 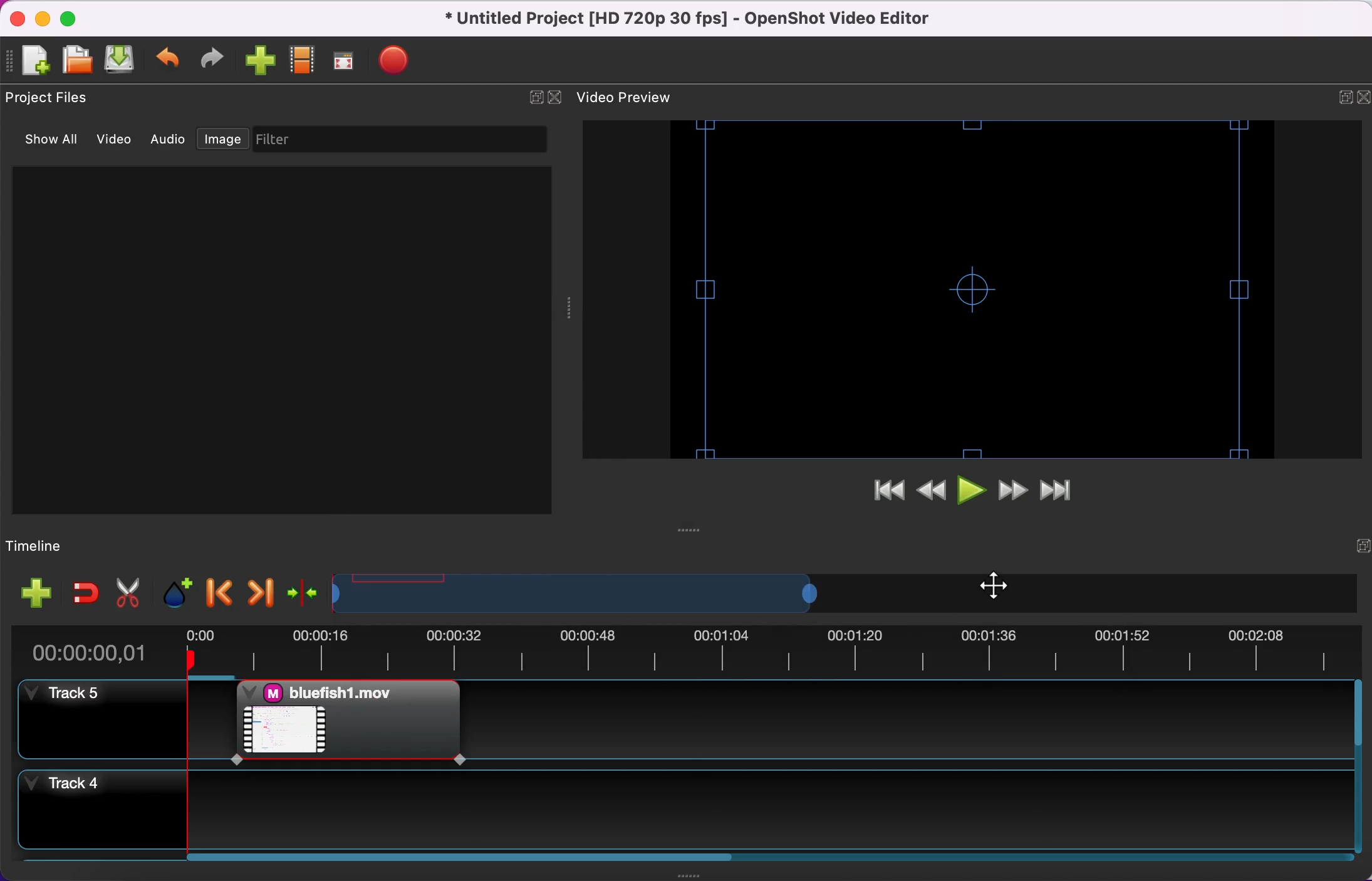 I want to click on choose profile, so click(x=304, y=60).